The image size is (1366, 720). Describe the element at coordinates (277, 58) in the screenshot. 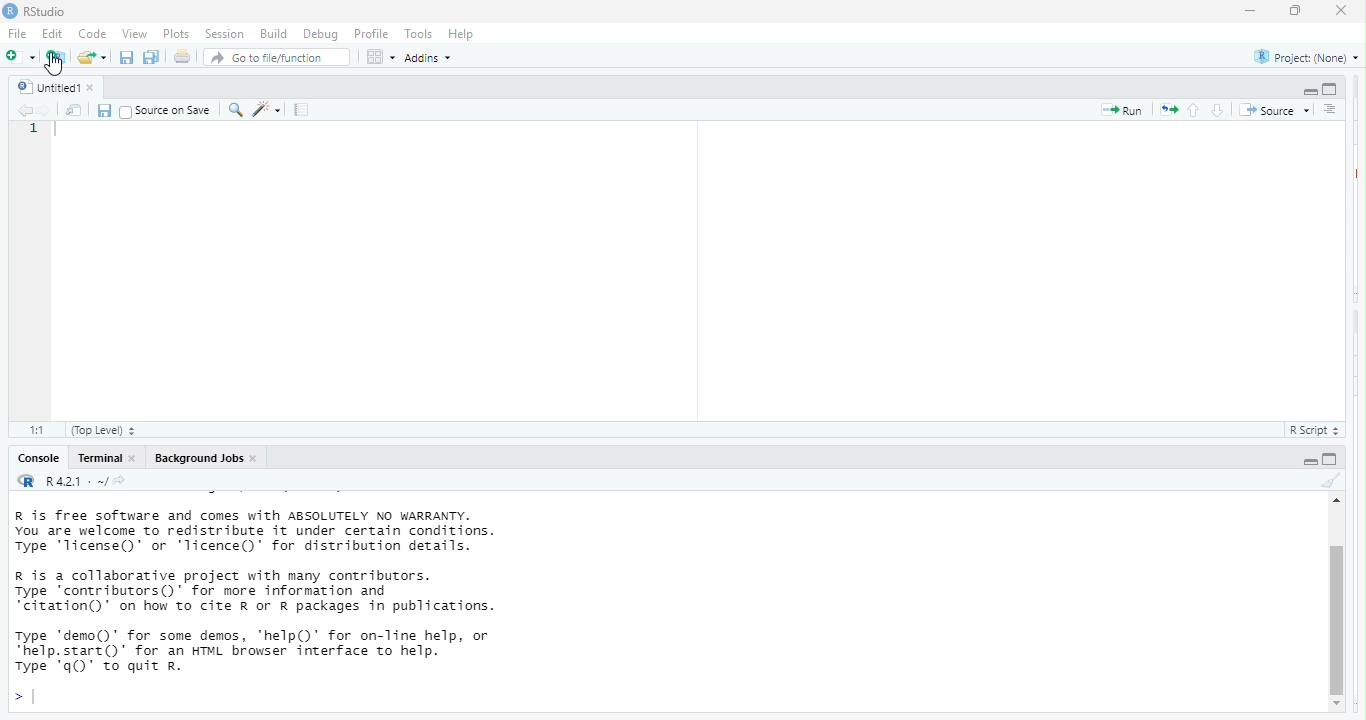

I see ` Go to fie/function` at that location.